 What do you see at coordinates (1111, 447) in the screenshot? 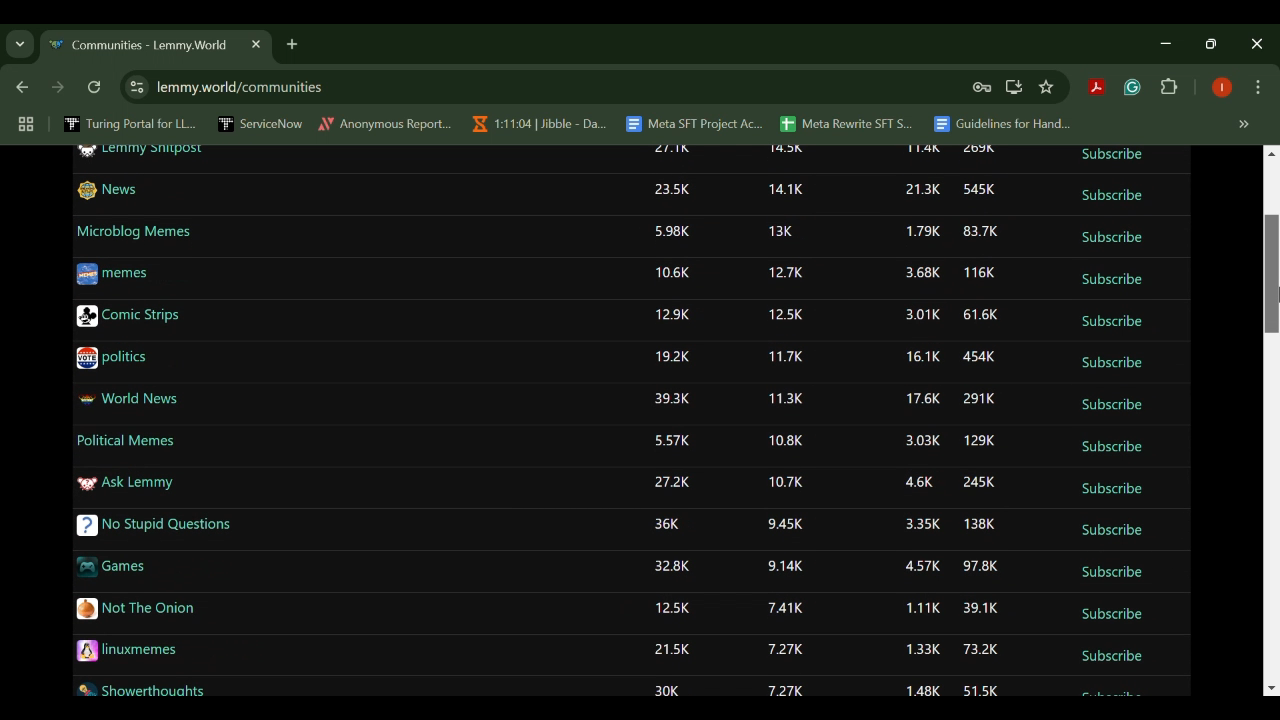
I see `Subscribe` at bounding box center [1111, 447].